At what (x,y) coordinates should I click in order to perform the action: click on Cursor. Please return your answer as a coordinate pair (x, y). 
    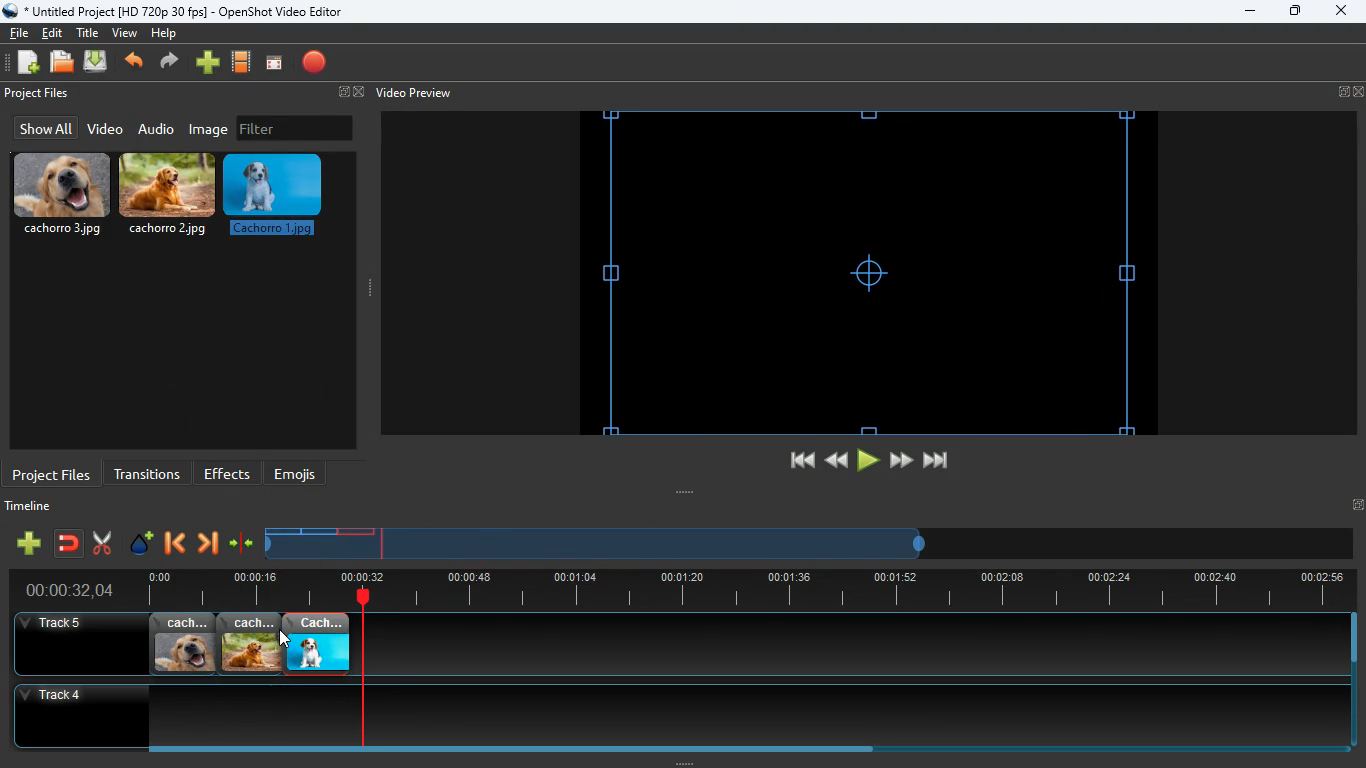
    Looking at the image, I should click on (284, 639).